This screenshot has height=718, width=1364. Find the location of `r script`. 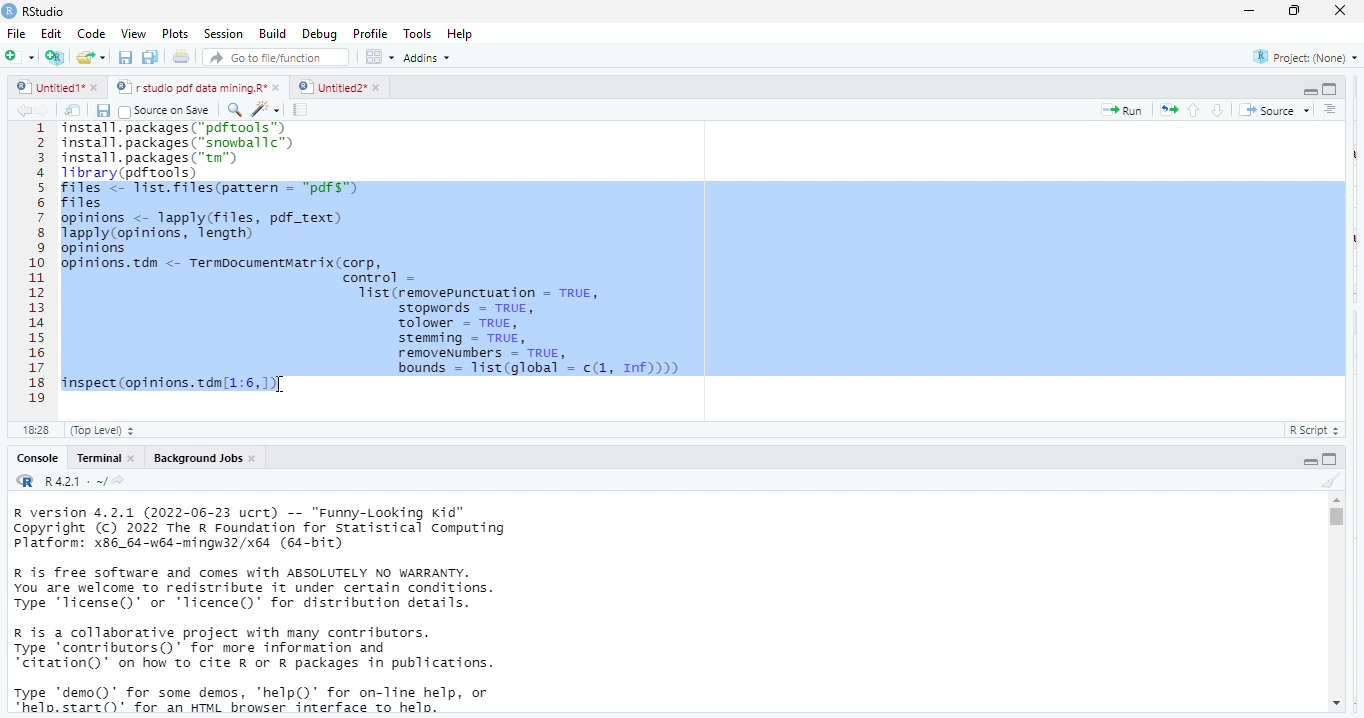

r script is located at coordinates (1319, 430).